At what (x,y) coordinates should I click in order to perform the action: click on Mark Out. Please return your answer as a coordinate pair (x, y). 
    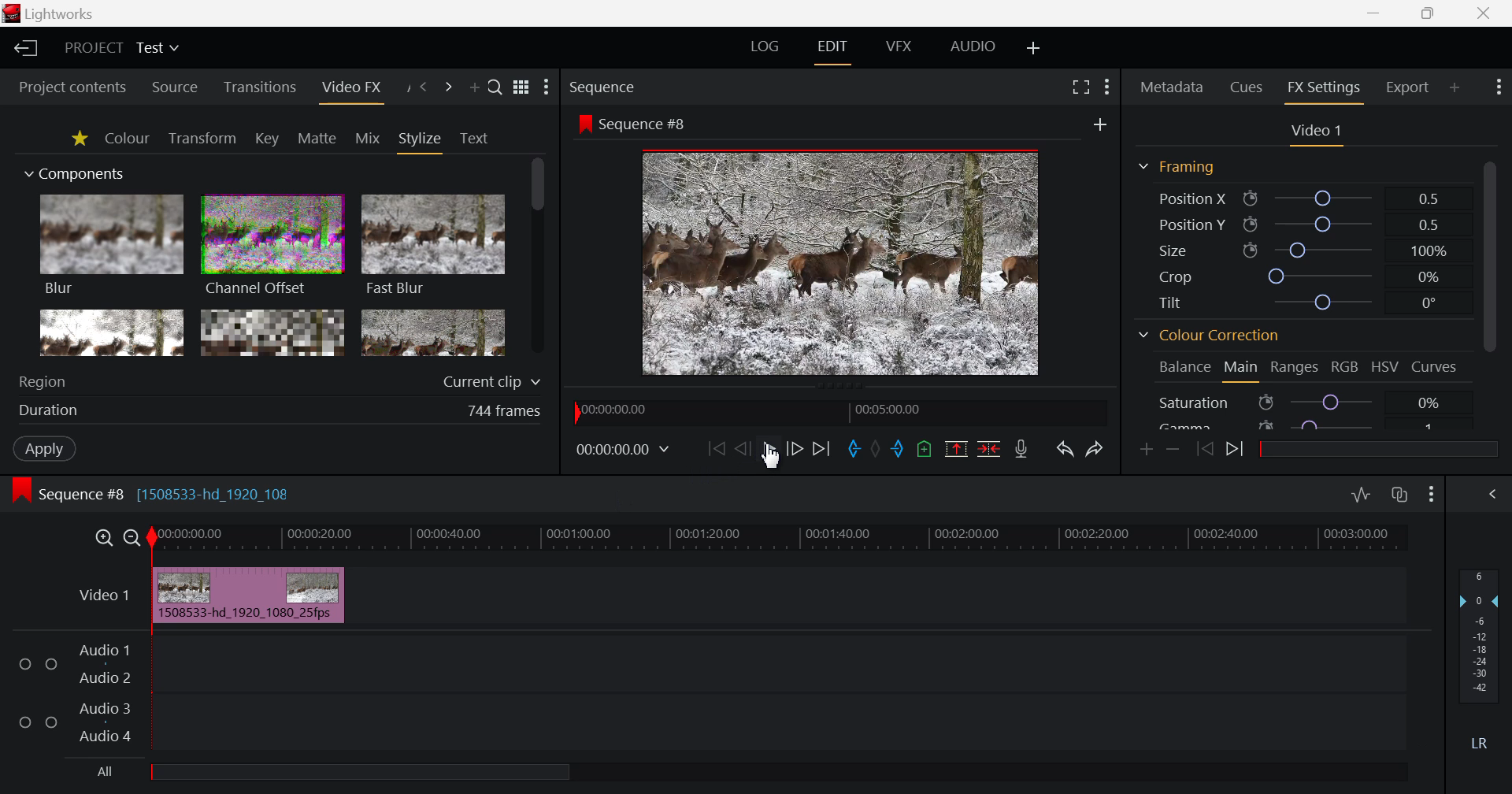
    Looking at the image, I should click on (902, 451).